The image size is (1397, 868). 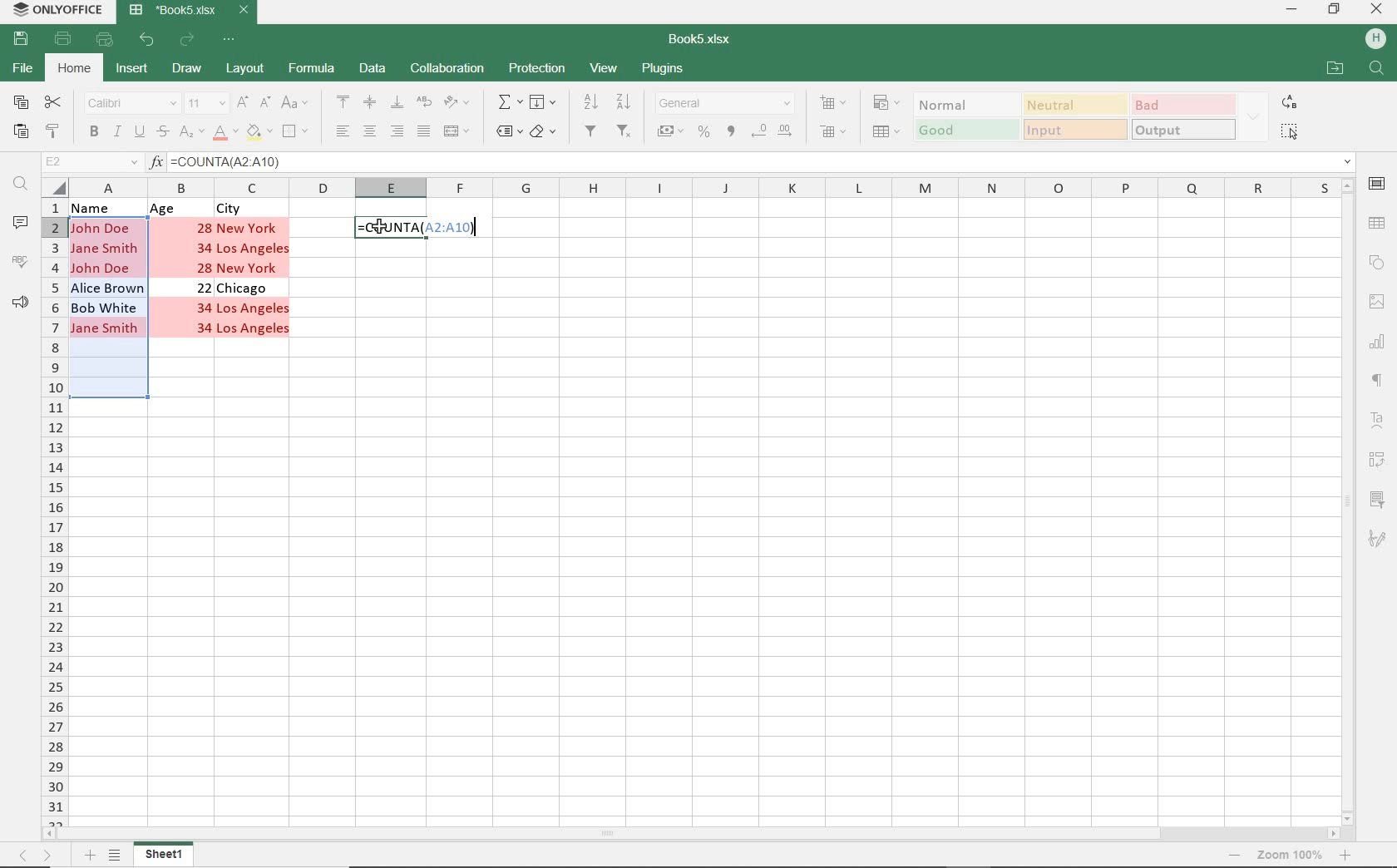 What do you see at coordinates (265, 103) in the screenshot?
I see `DECREMENT FONT SIZE` at bounding box center [265, 103].